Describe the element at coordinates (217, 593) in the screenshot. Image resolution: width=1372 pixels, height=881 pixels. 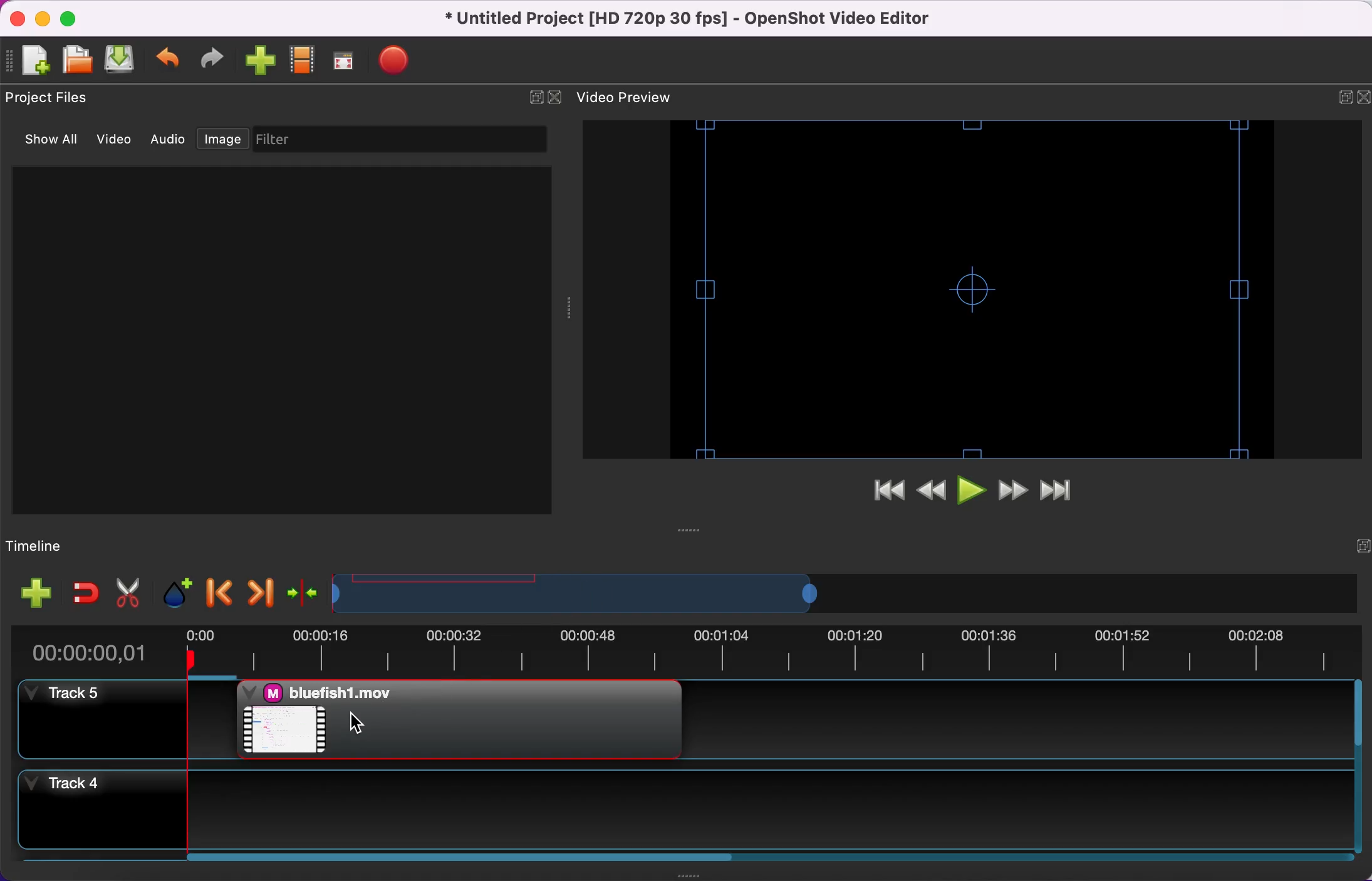
I see `previous marker` at that location.